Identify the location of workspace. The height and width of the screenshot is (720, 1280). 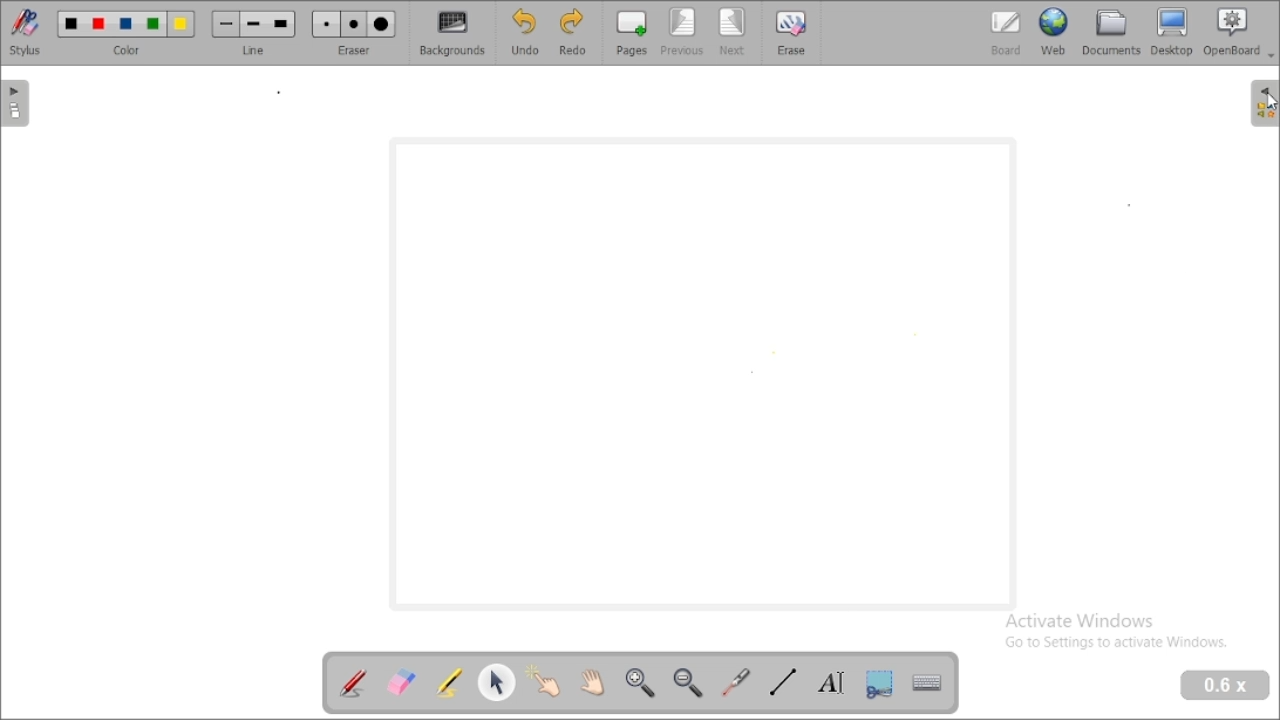
(702, 373).